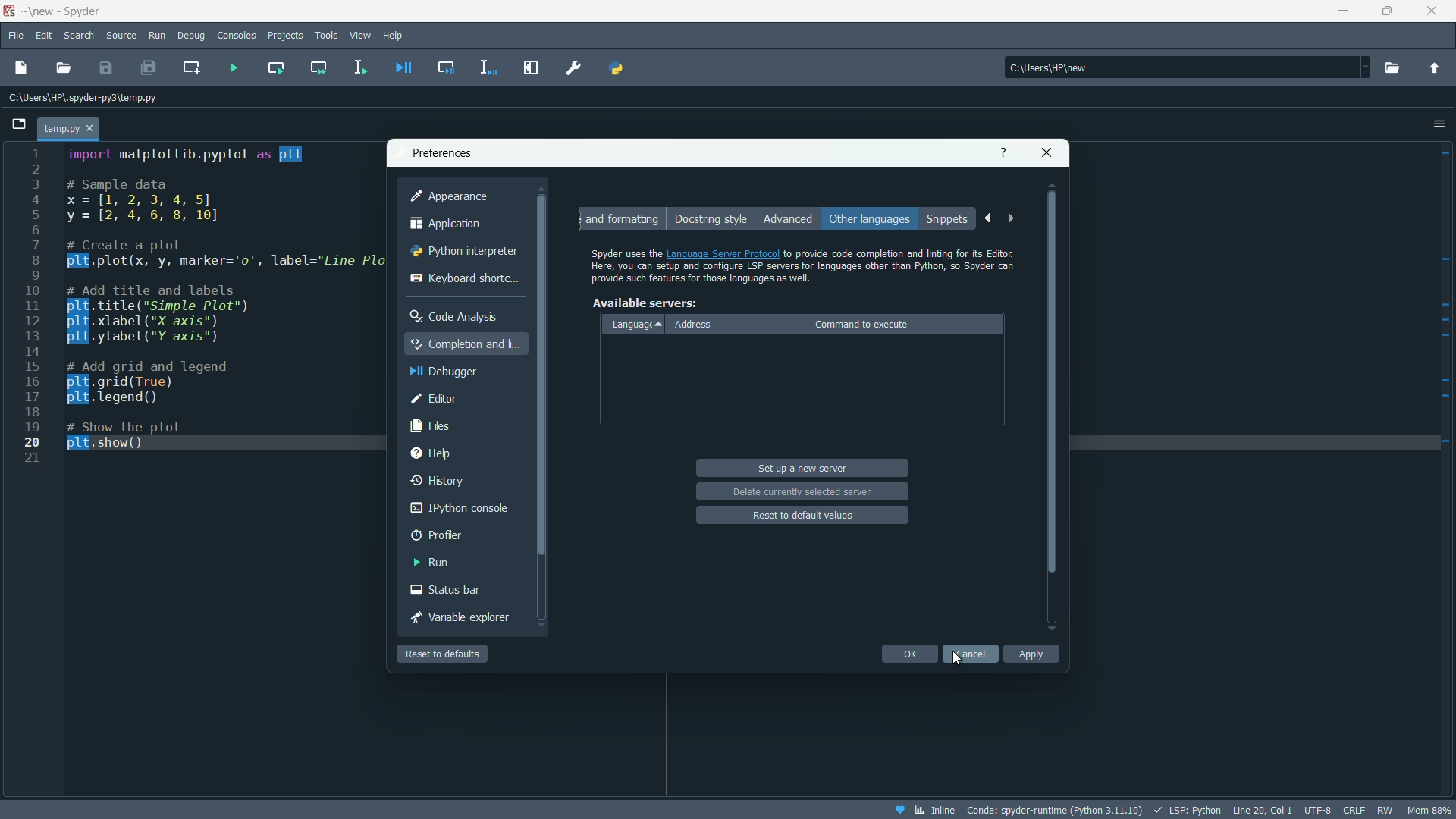  I want to click on preferences, so click(442, 152).